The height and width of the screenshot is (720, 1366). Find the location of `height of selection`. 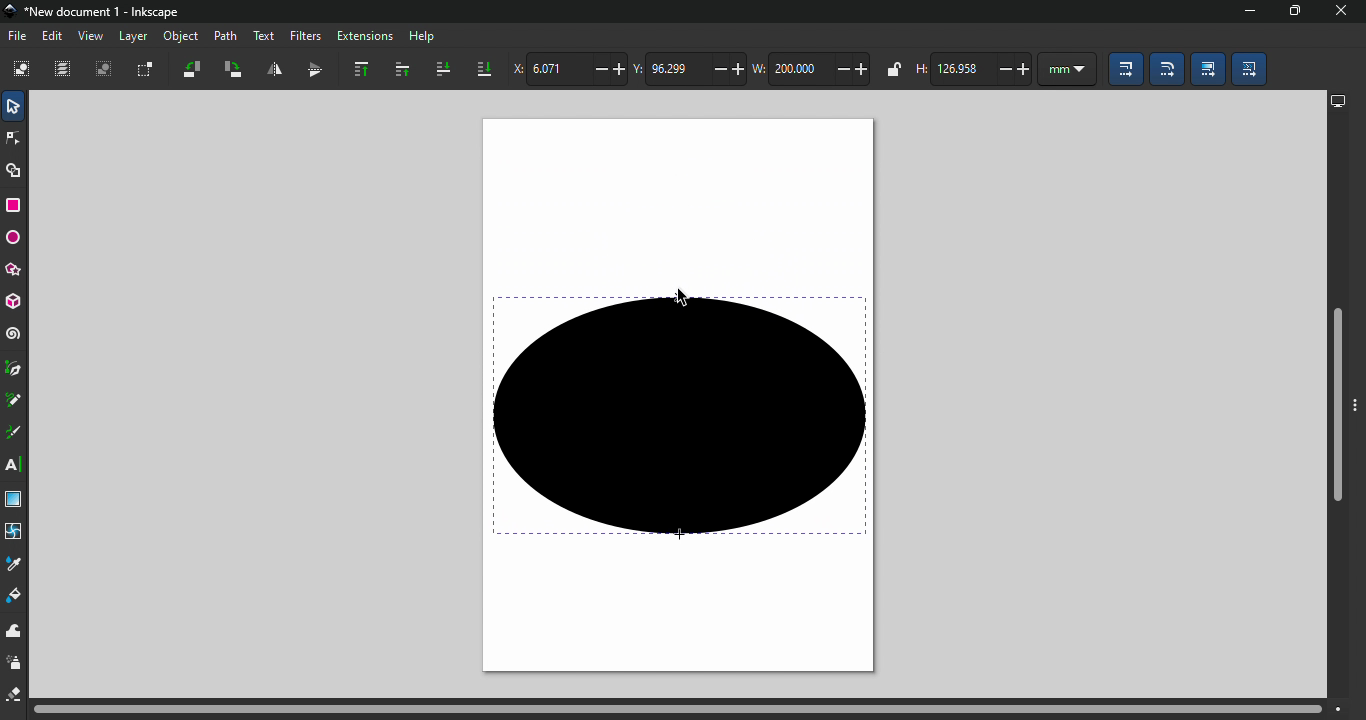

height of selection is located at coordinates (972, 68).